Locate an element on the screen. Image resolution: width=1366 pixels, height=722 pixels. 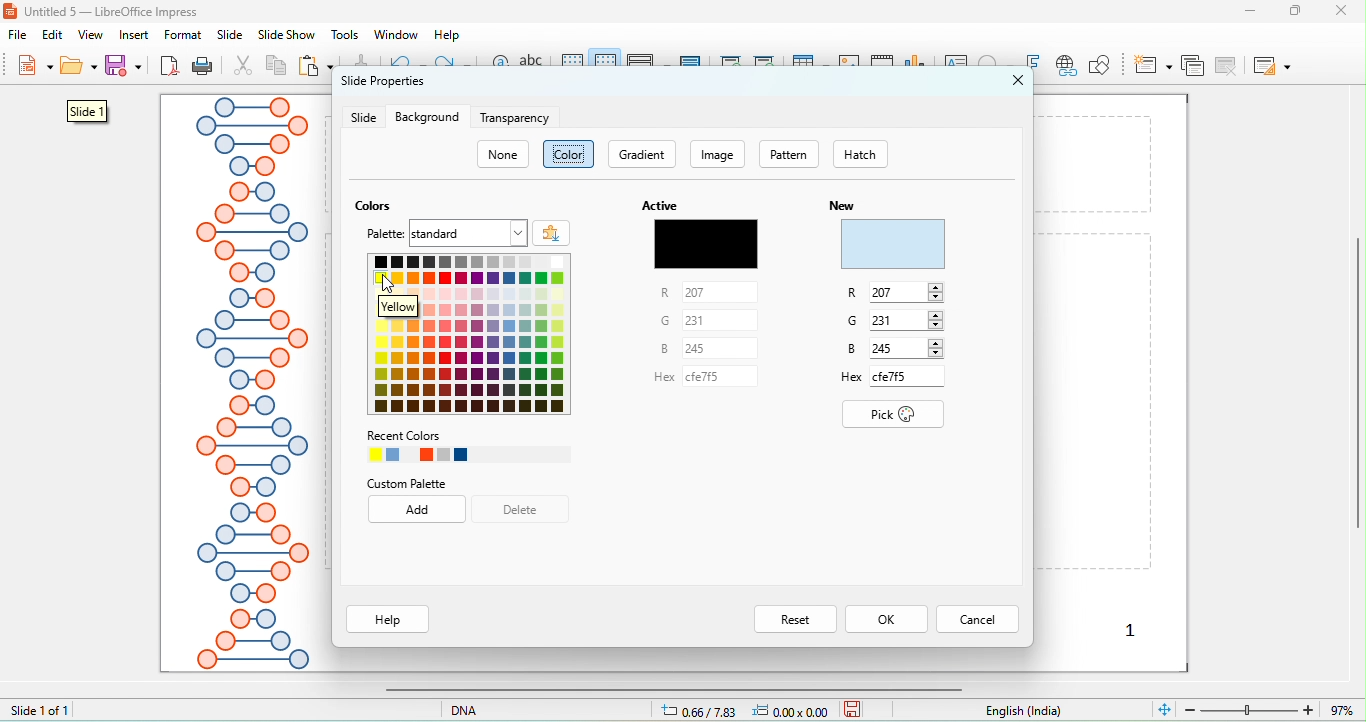
cursor is located at coordinates (393, 283).